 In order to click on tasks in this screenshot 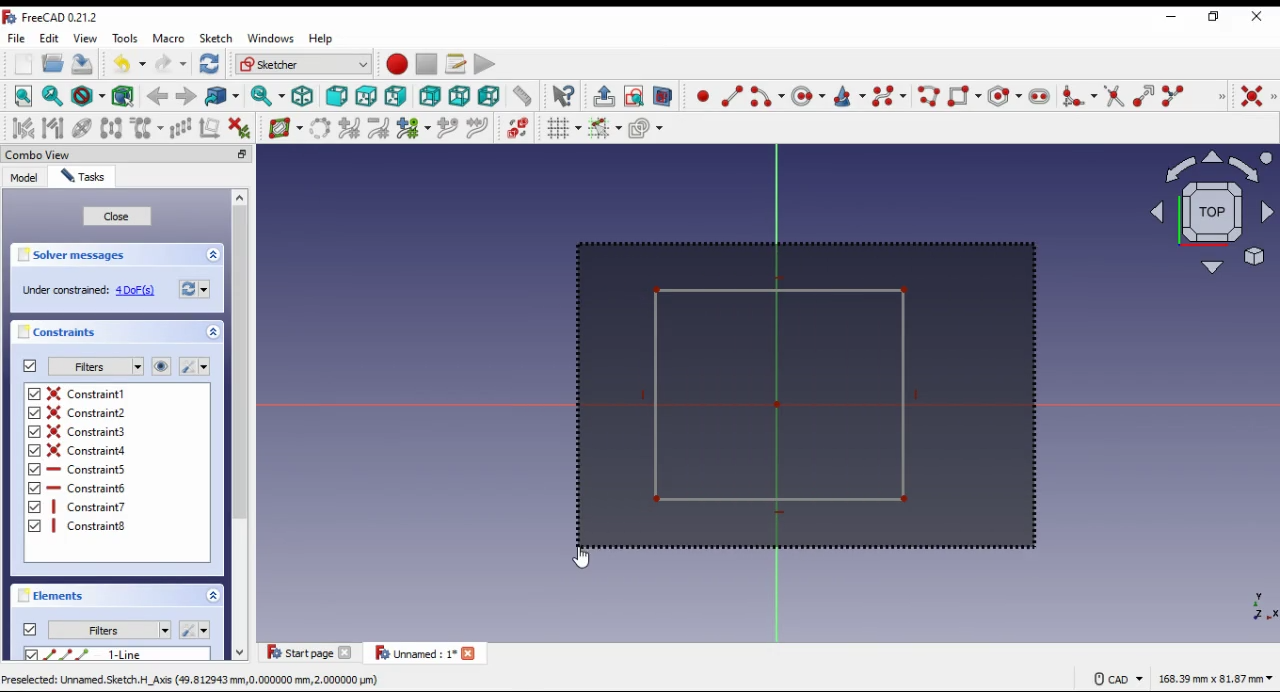, I will do `click(84, 176)`.